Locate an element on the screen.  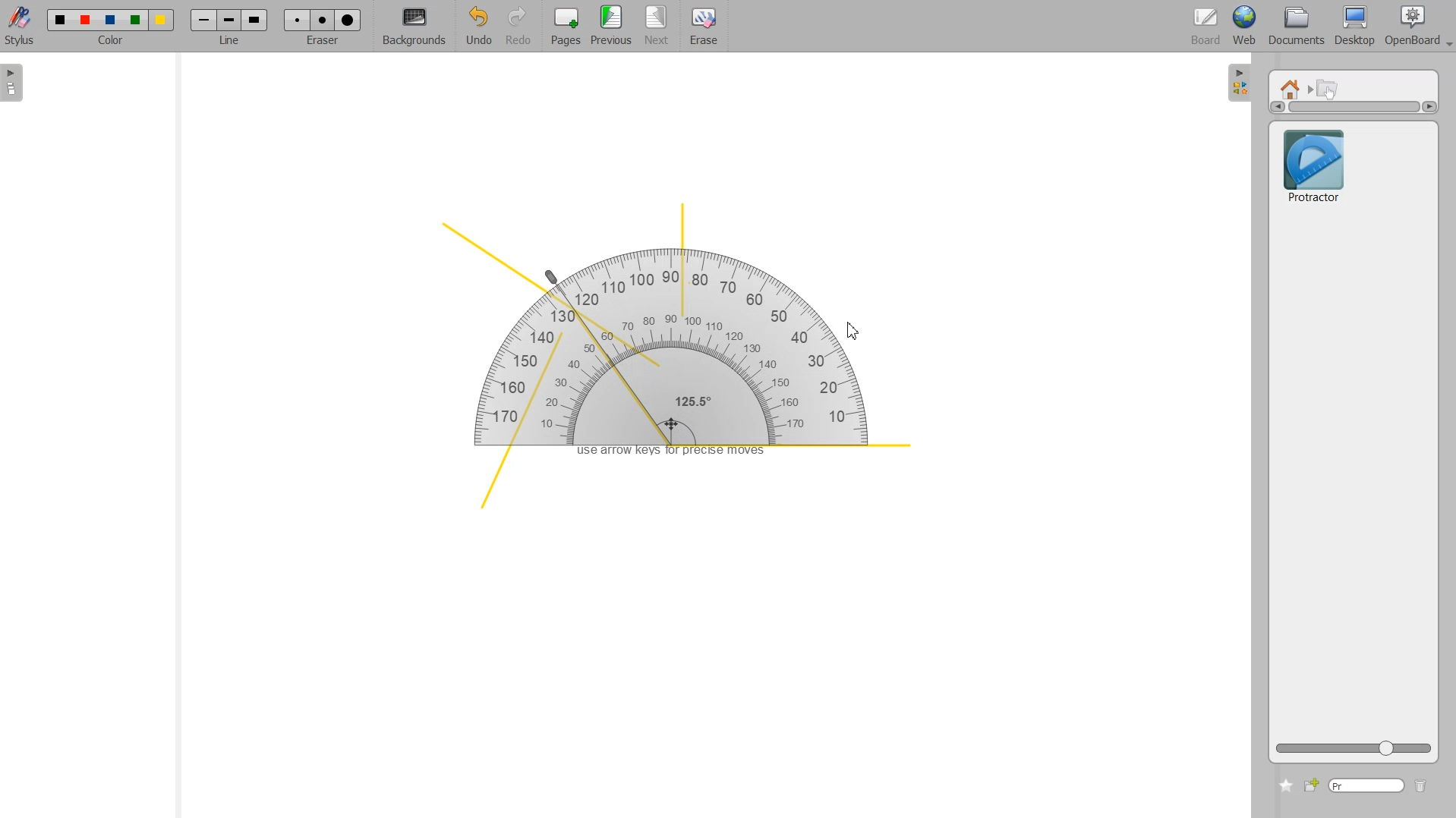
Background is located at coordinates (414, 27).